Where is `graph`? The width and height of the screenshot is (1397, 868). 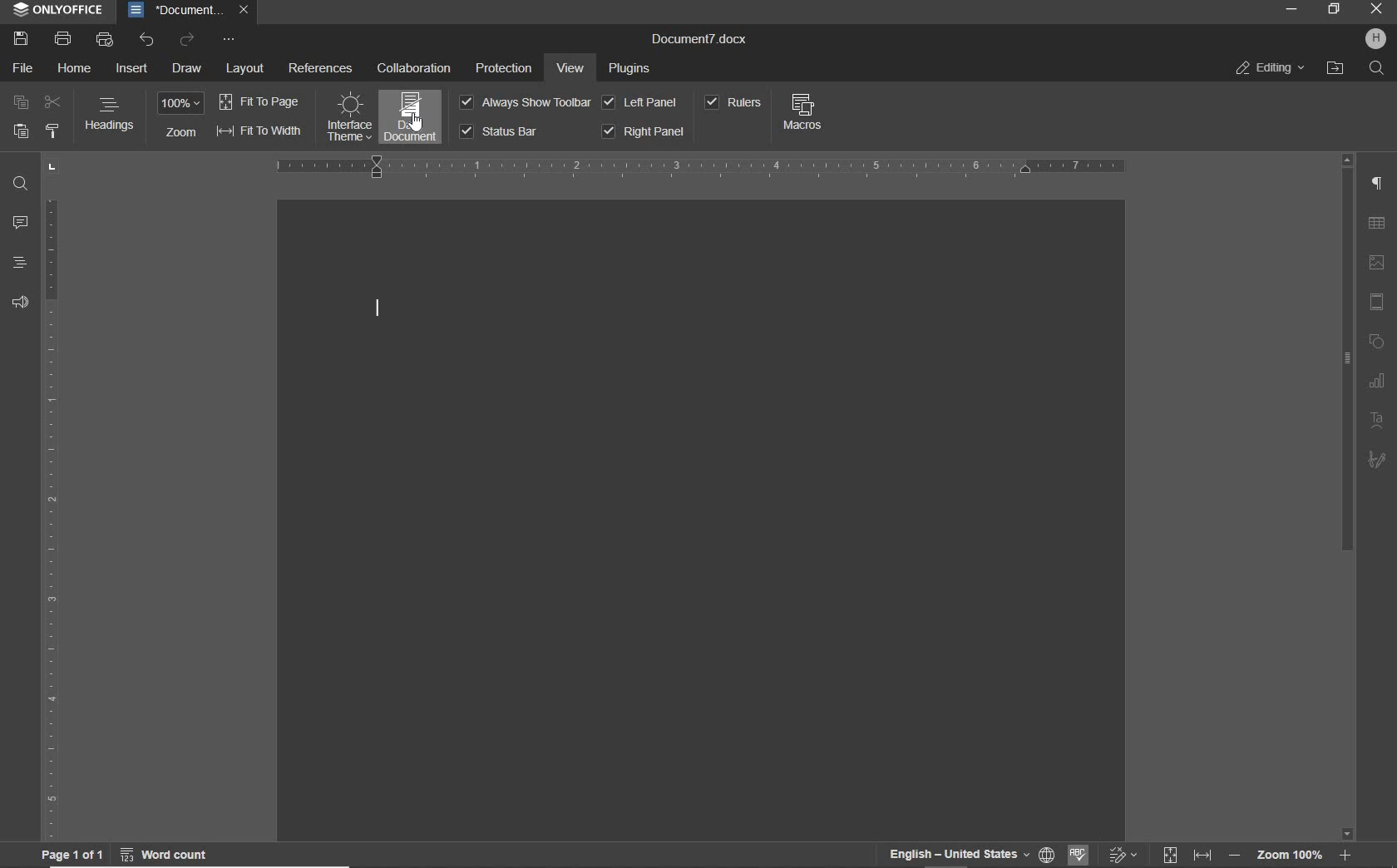 graph is located at coordinates (1378, 382).